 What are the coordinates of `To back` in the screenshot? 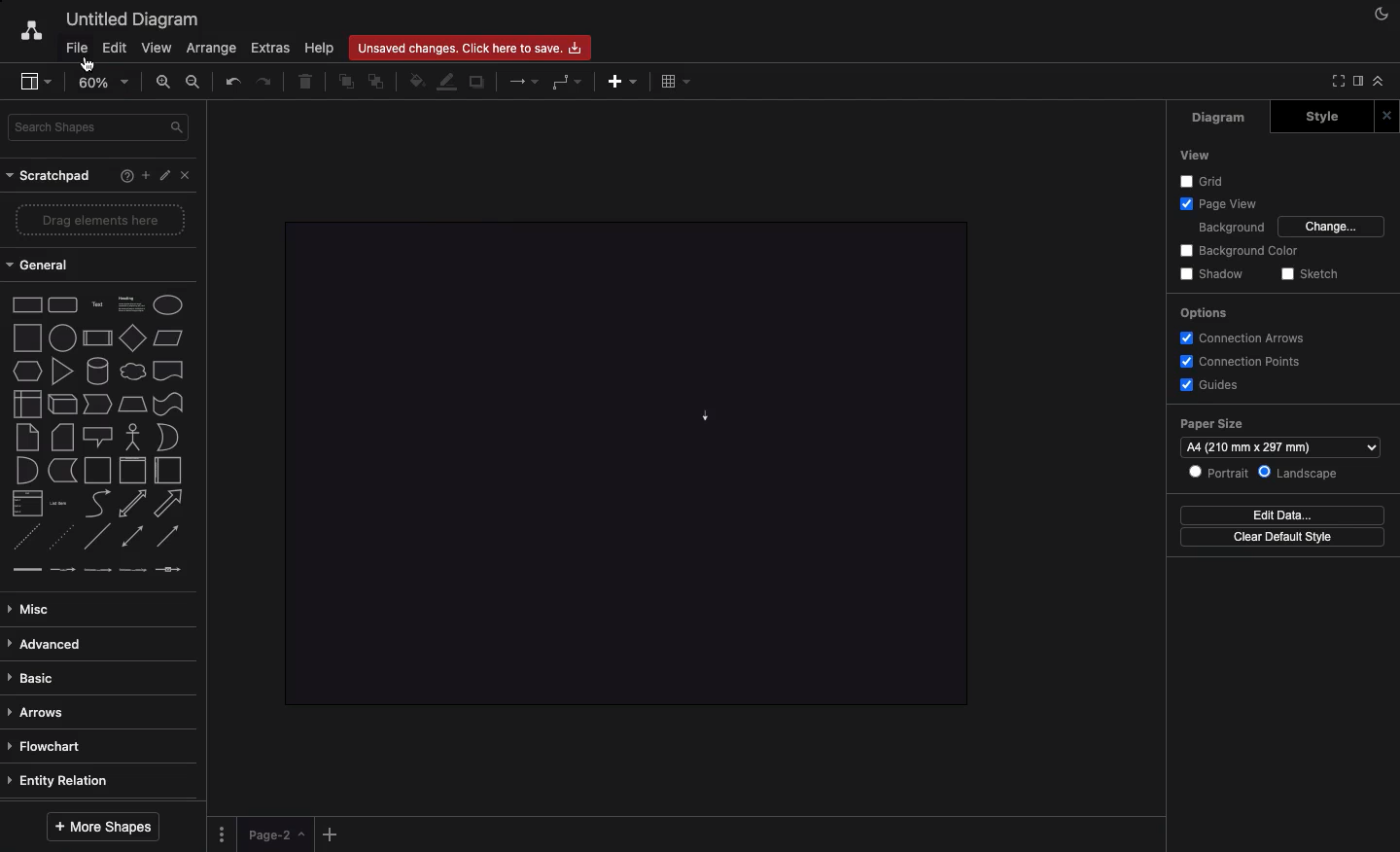 It's located at (378, 81).